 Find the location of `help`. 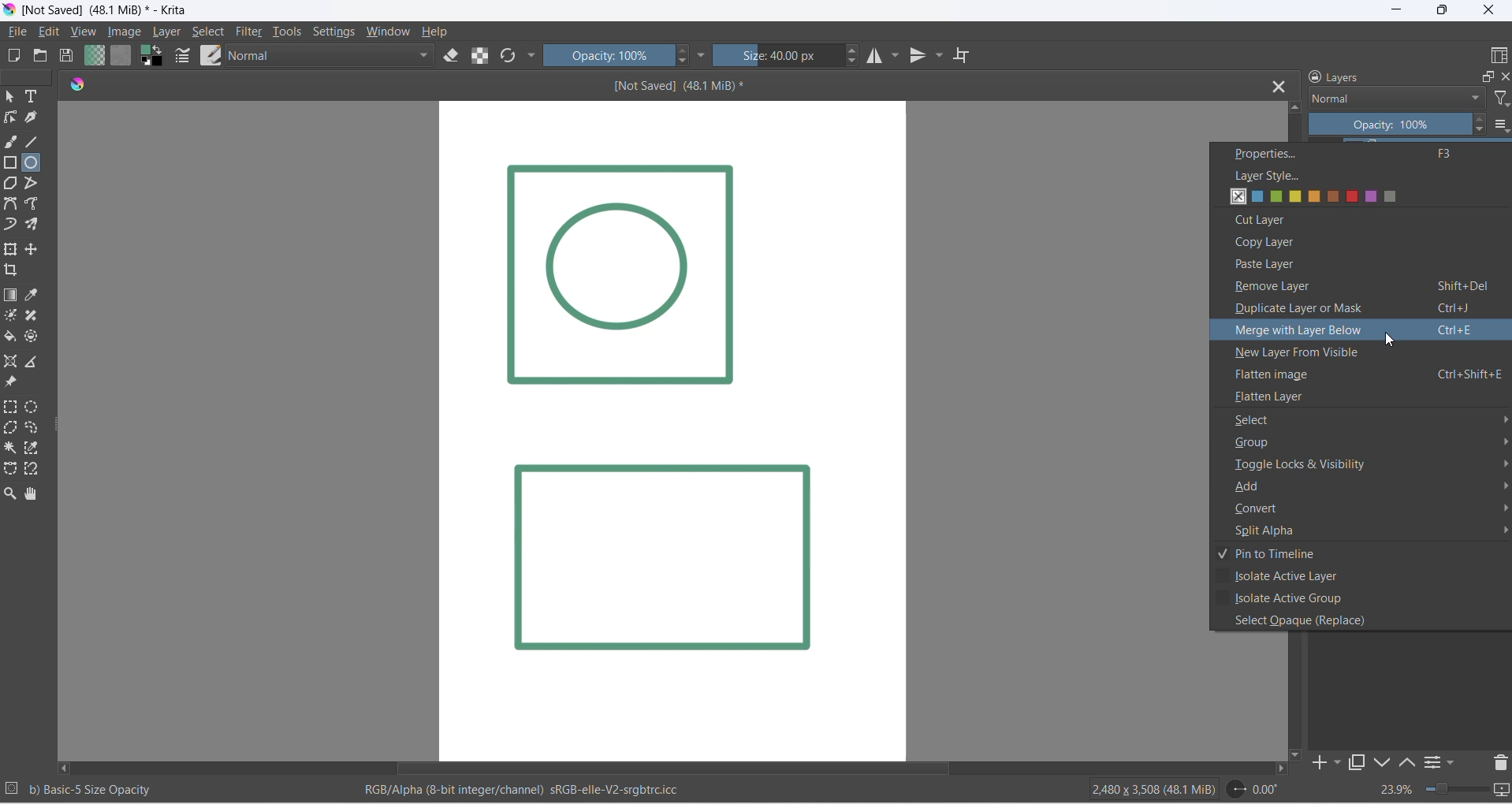

help is located at coordinates (434, 33).